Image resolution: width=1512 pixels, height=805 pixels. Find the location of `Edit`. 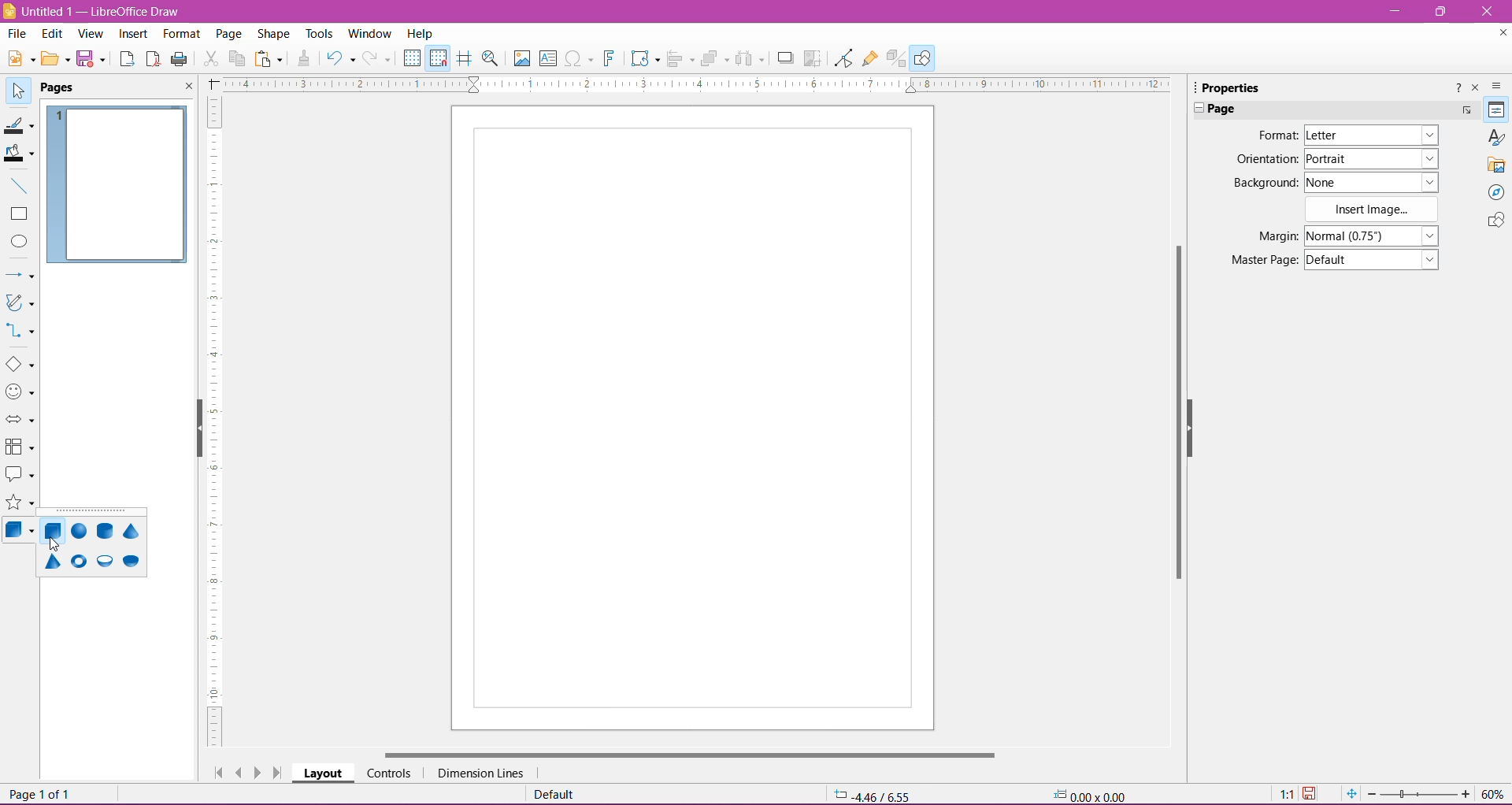

Edit is located at coordinates (54, 34).